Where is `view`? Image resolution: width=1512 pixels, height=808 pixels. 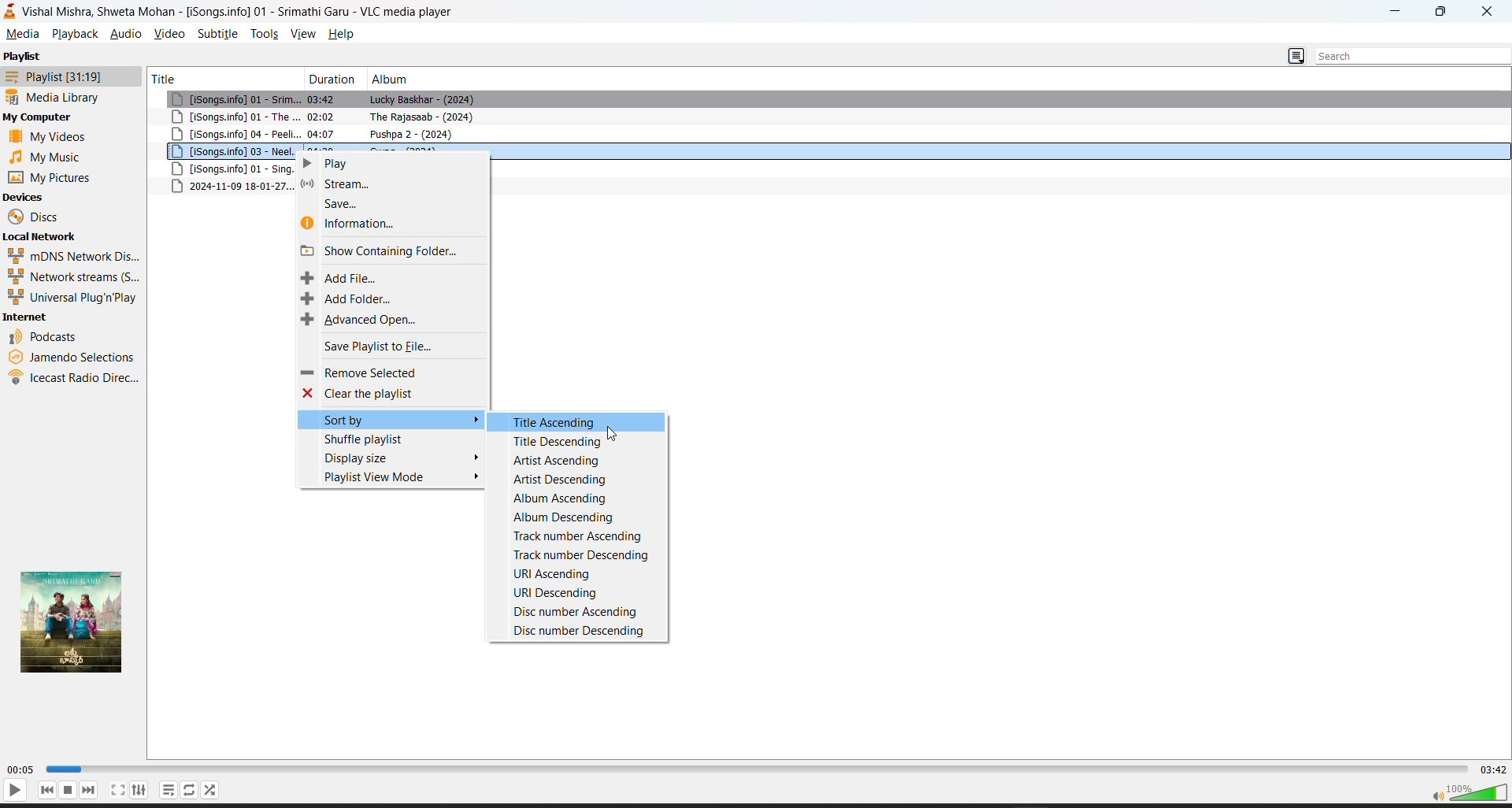
view is located at coordinates (300, 34).